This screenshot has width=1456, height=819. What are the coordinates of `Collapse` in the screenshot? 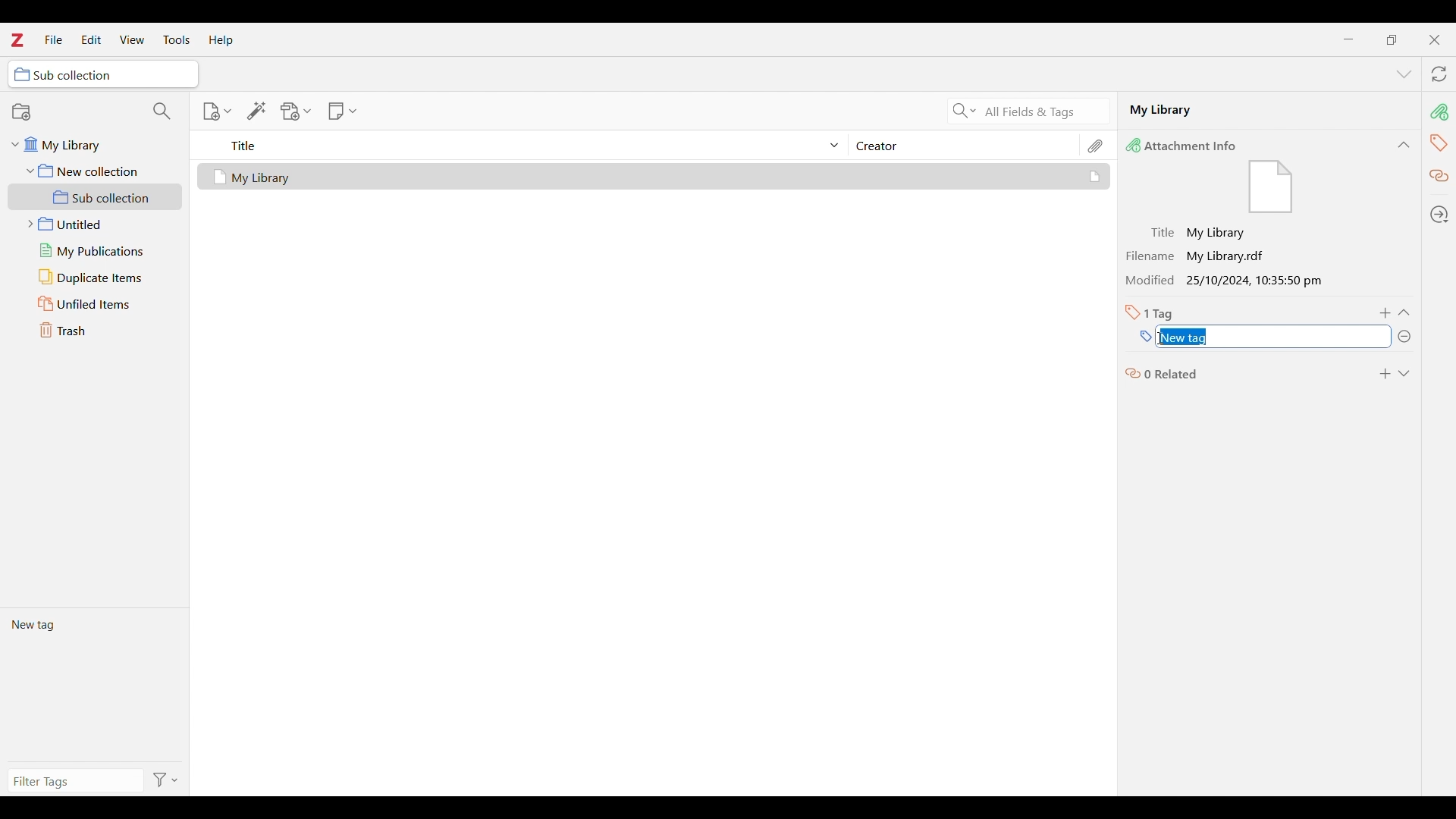 It's located at (1404, 312).